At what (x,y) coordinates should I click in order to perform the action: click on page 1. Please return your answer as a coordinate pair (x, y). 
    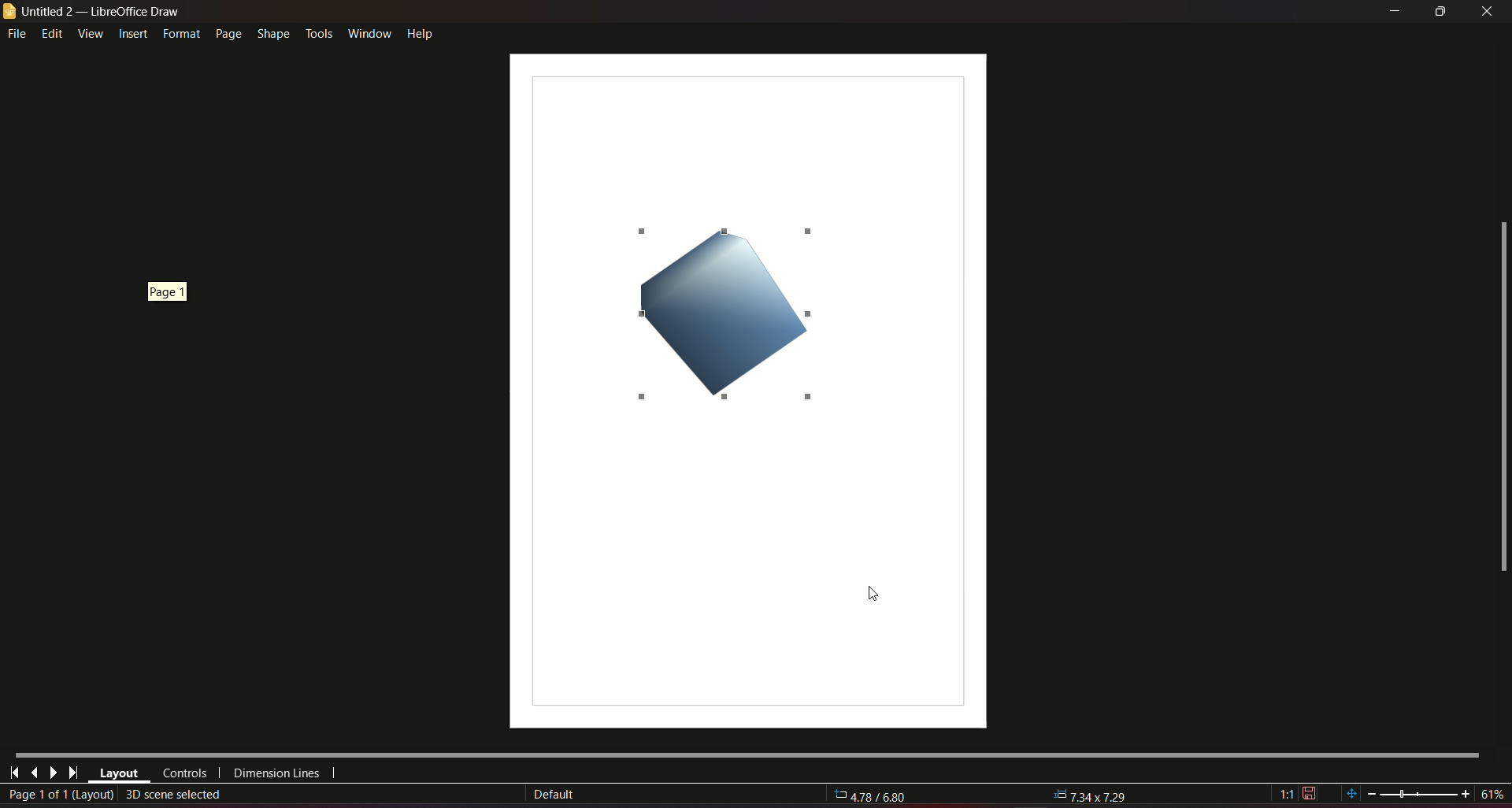
    Looking at the image, I should click on (167, 289).